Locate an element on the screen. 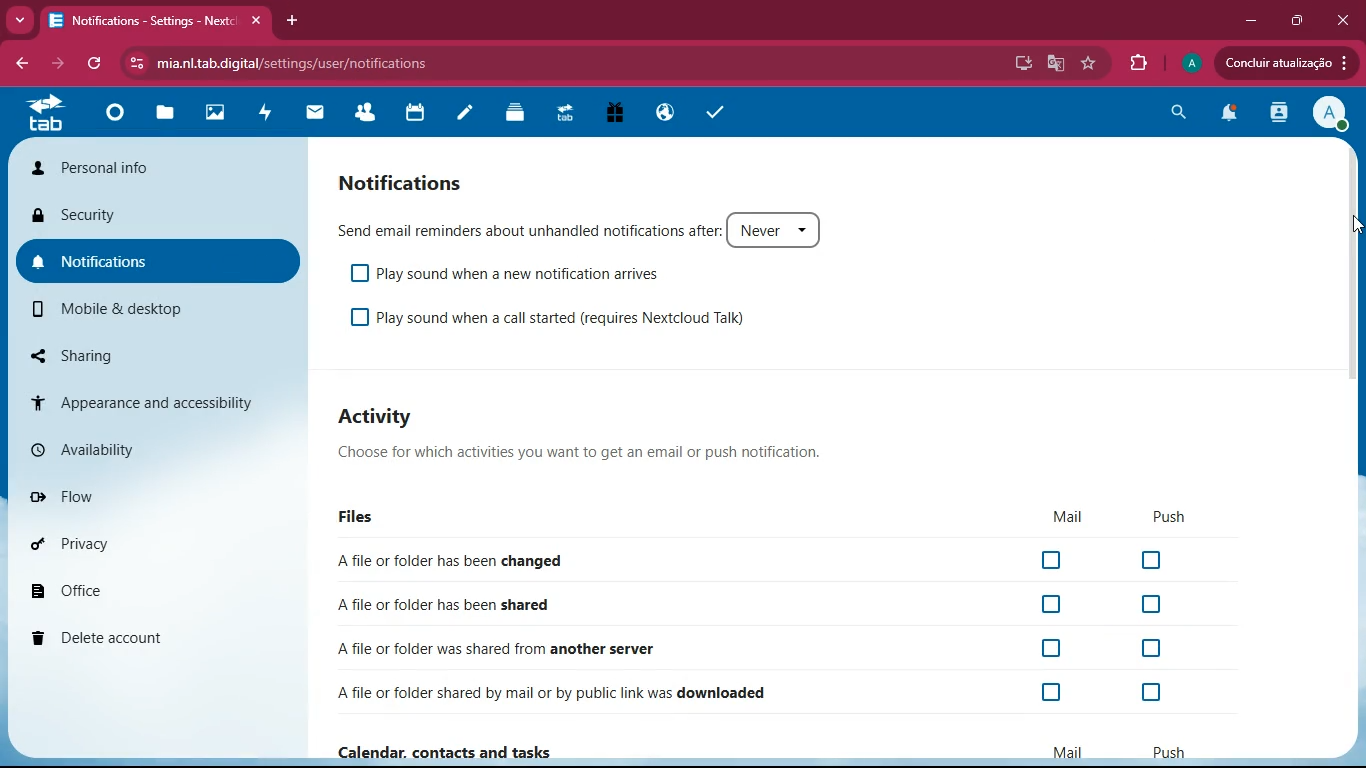  add tab is located at coordinates (289, 20).